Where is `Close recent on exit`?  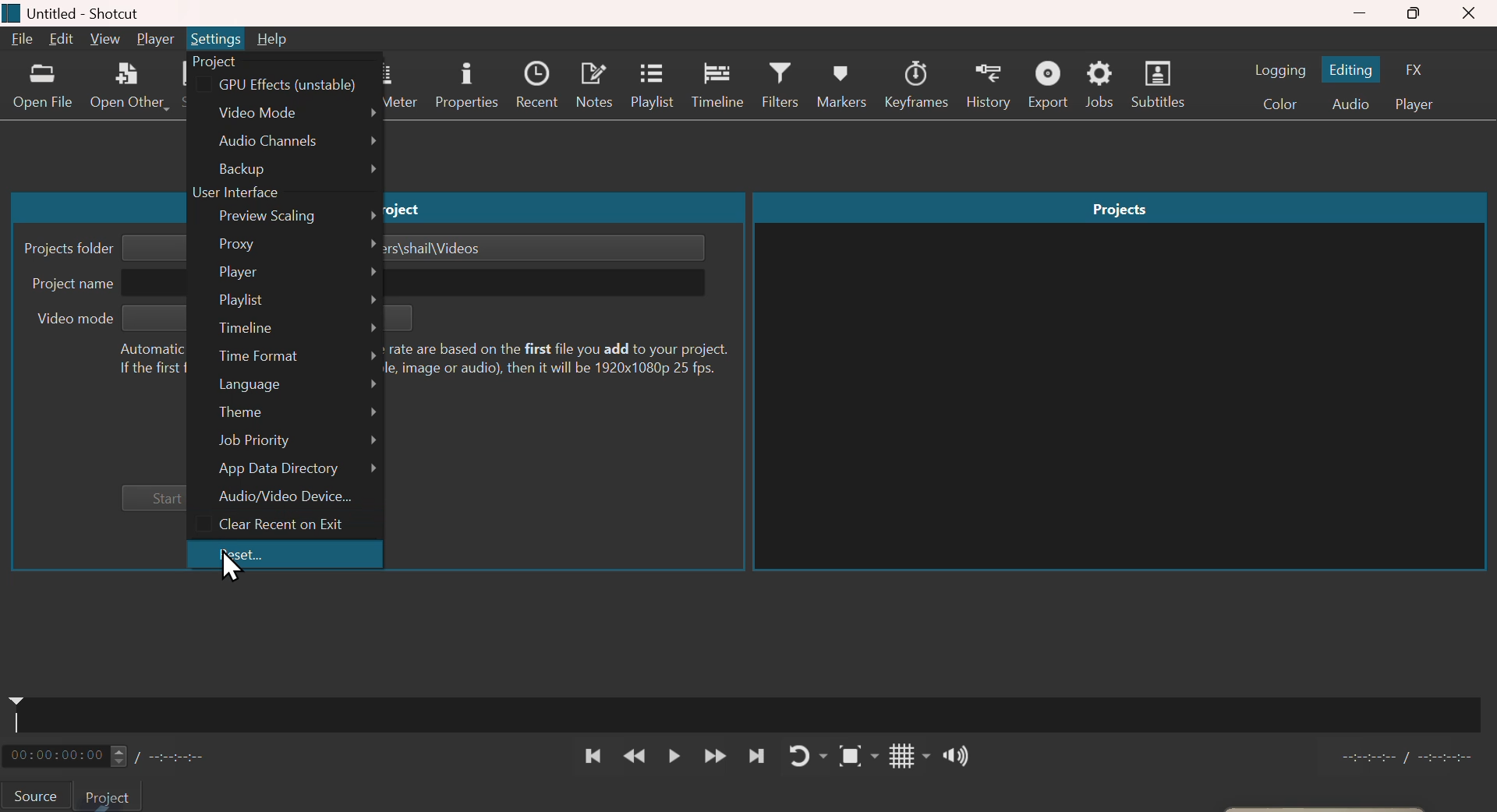 Close recent on exit is located at coordinates (285, 527).